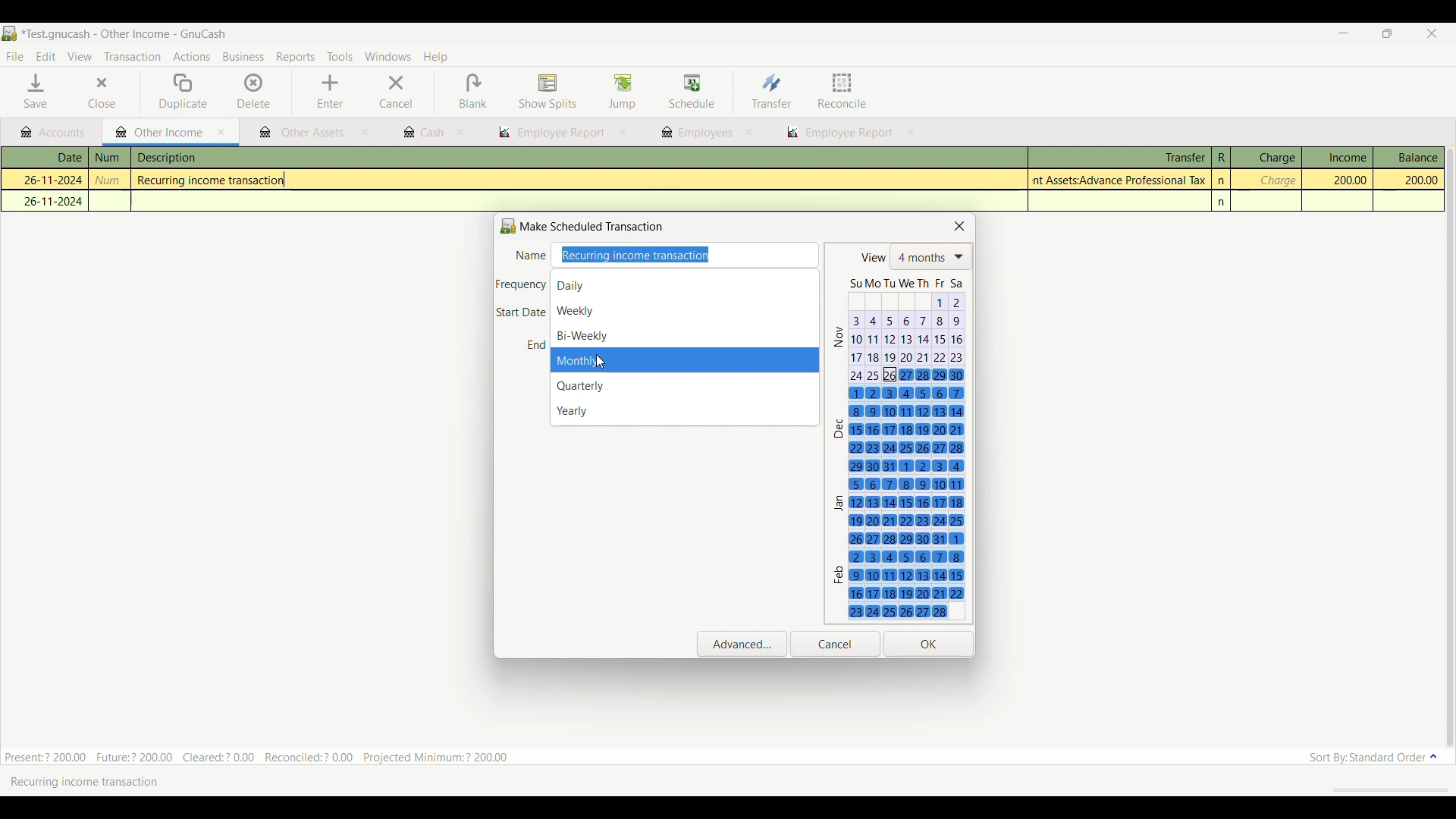 This screenshot has height=819, width=1456. What do you see at coordinates (684, 361) in the screenshot?
I see `months` at bounding box center [684, 361].